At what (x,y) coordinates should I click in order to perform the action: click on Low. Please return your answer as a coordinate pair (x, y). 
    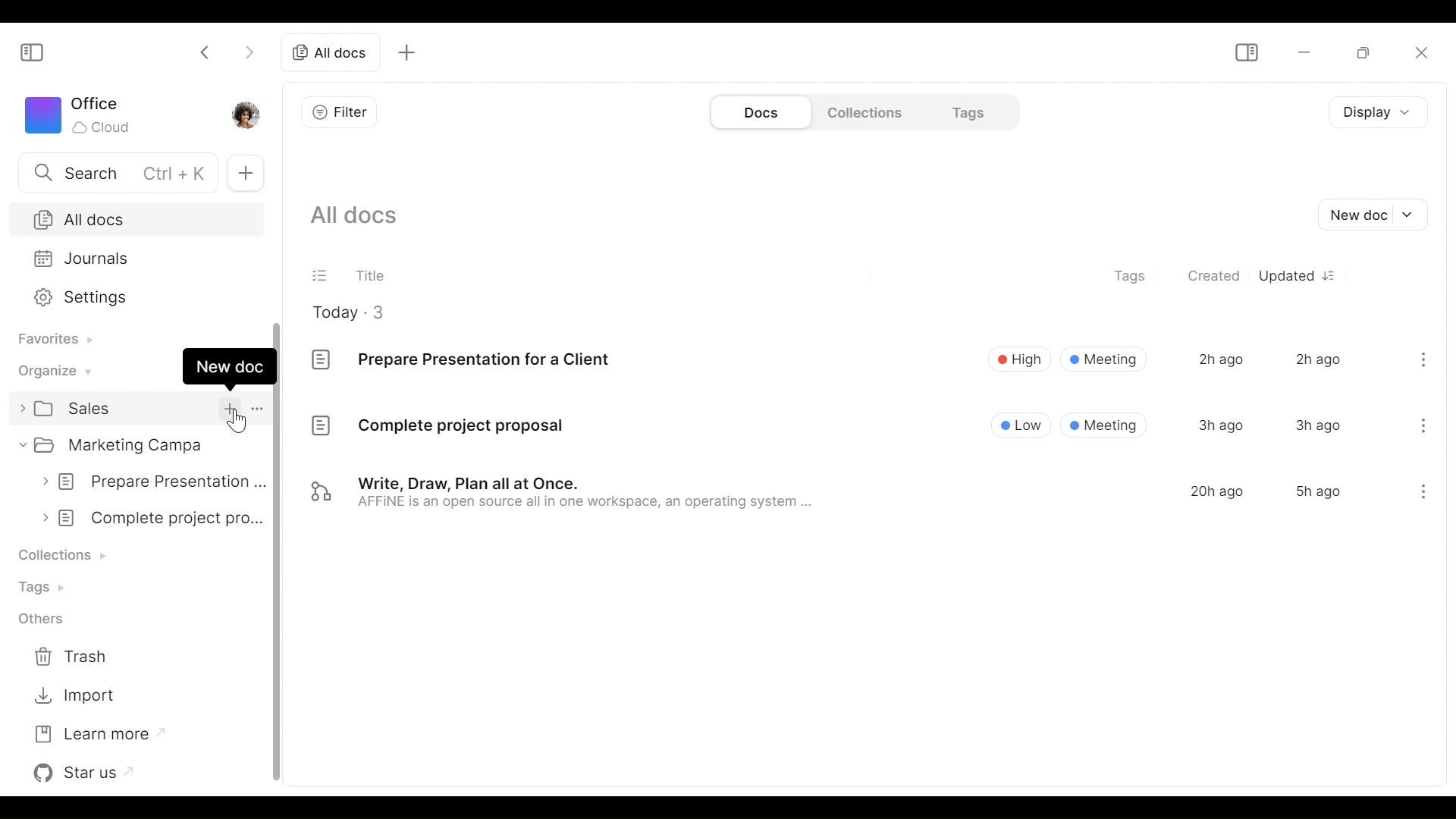
    Looking at the image, I should click on (1022, 424).